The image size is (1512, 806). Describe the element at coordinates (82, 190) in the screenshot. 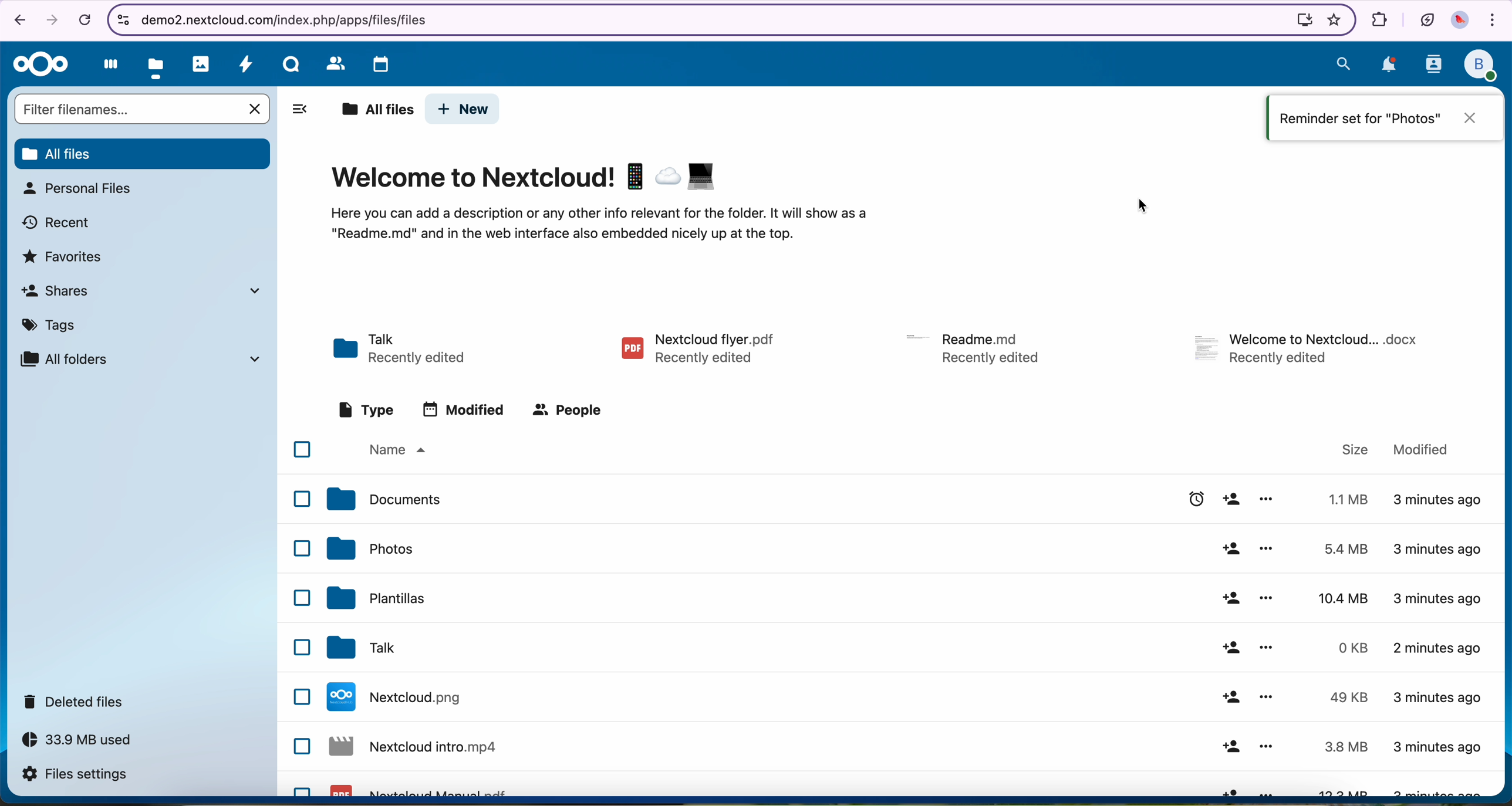

I see `personal files` at that location.